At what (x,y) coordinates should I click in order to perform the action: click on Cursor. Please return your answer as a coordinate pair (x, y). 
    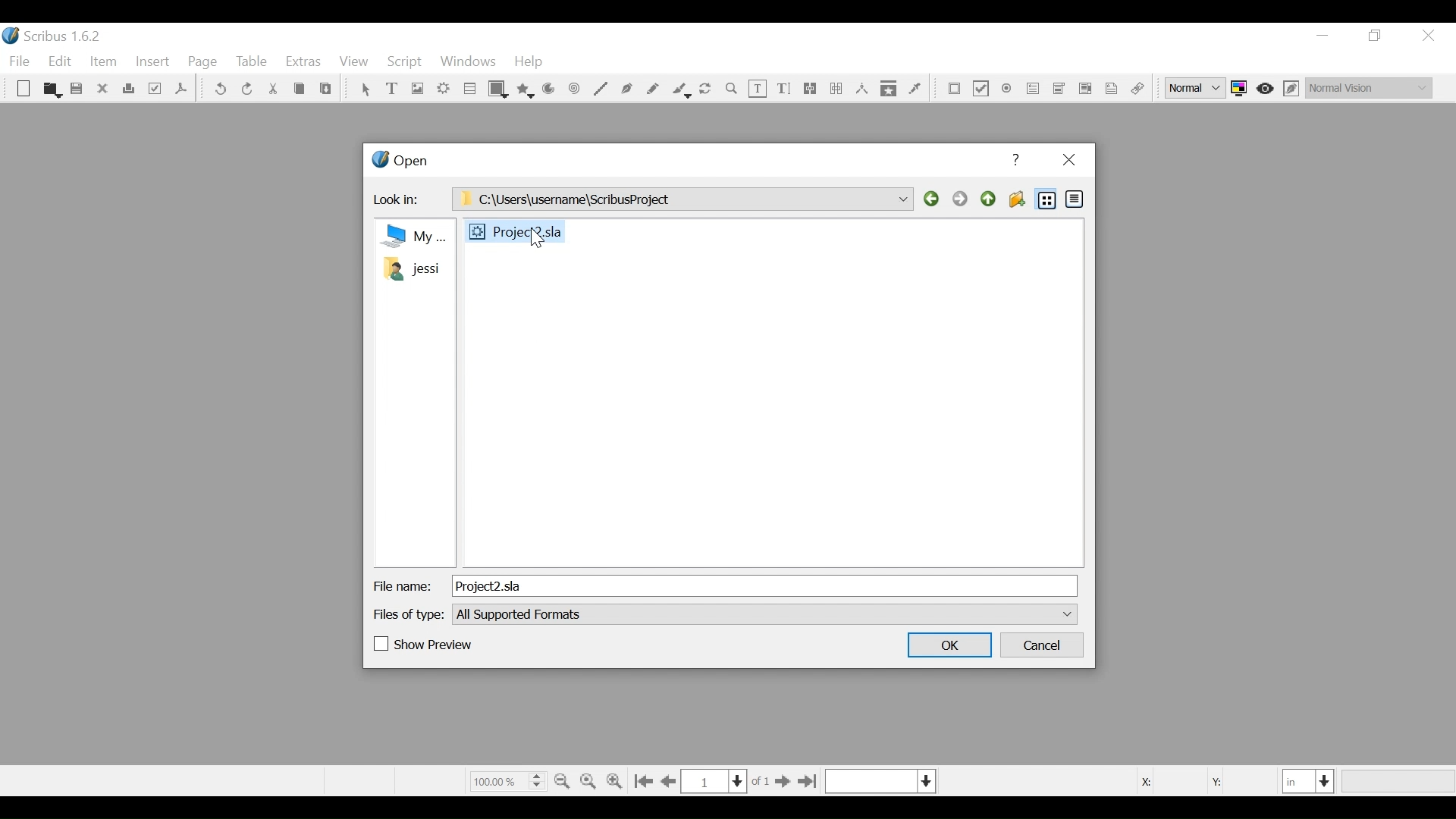
    Looking at the image, I should click on (536, 245).